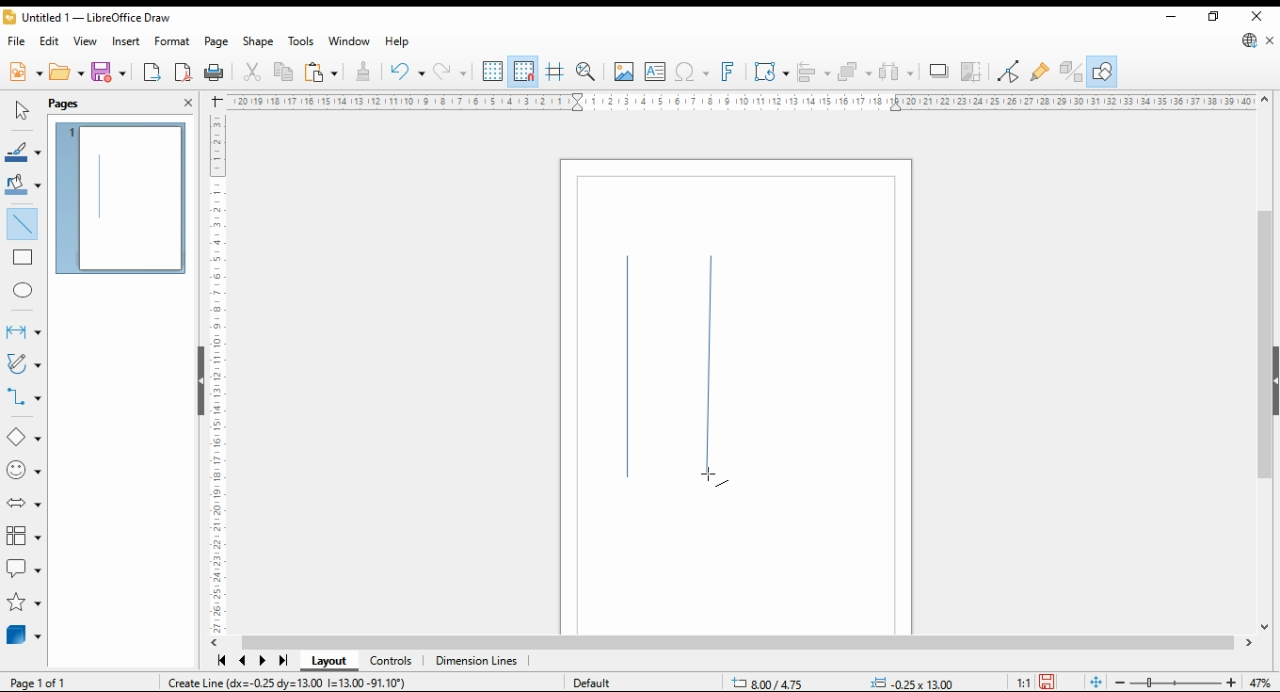 This screenshot has width=1280, height=692. What do you see at coordinates (1023, 682) in the screenshot?
I see `1:1` at bounding box center [1023, 682].